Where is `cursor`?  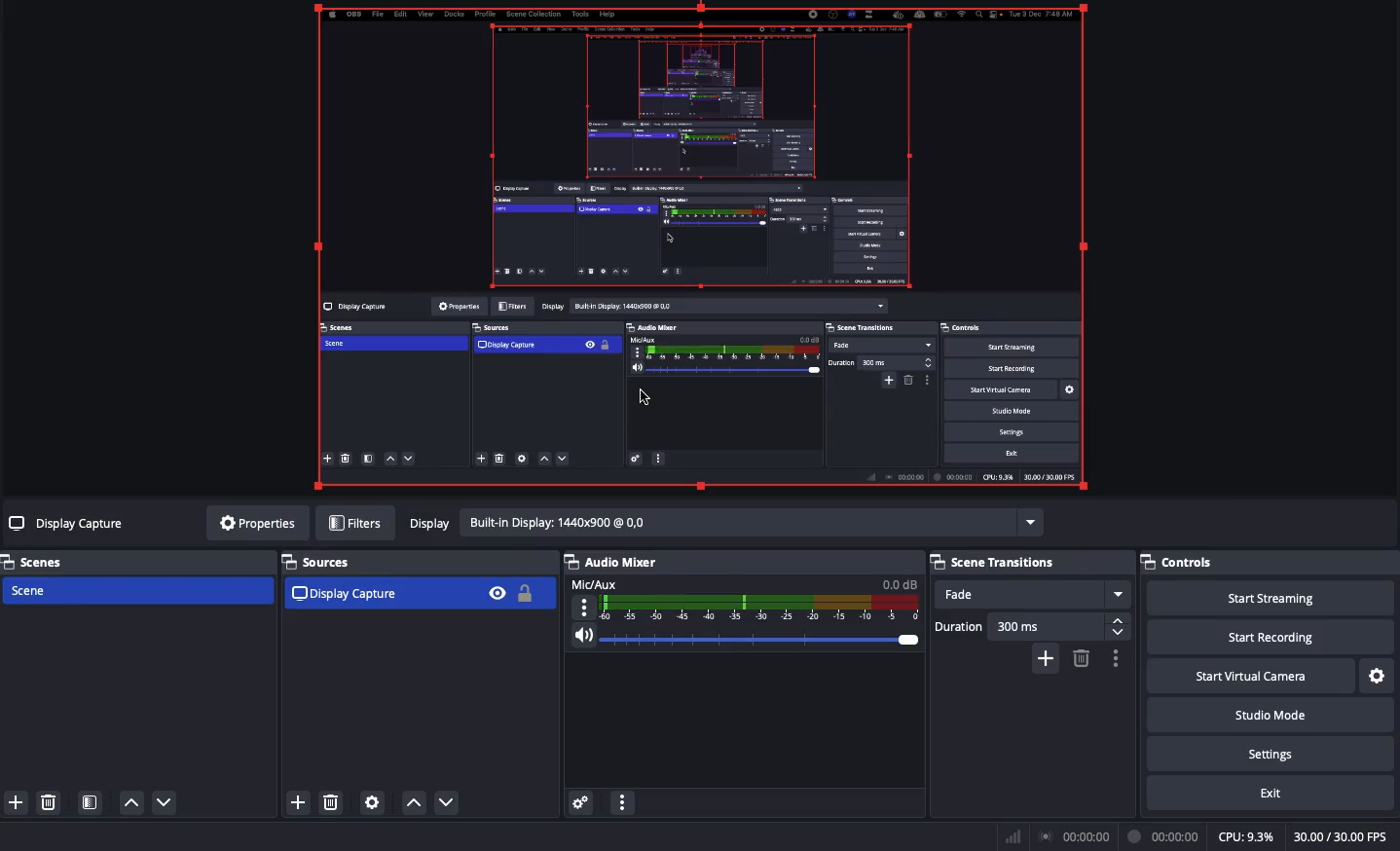 cursor is located at coordinates (644, 397).